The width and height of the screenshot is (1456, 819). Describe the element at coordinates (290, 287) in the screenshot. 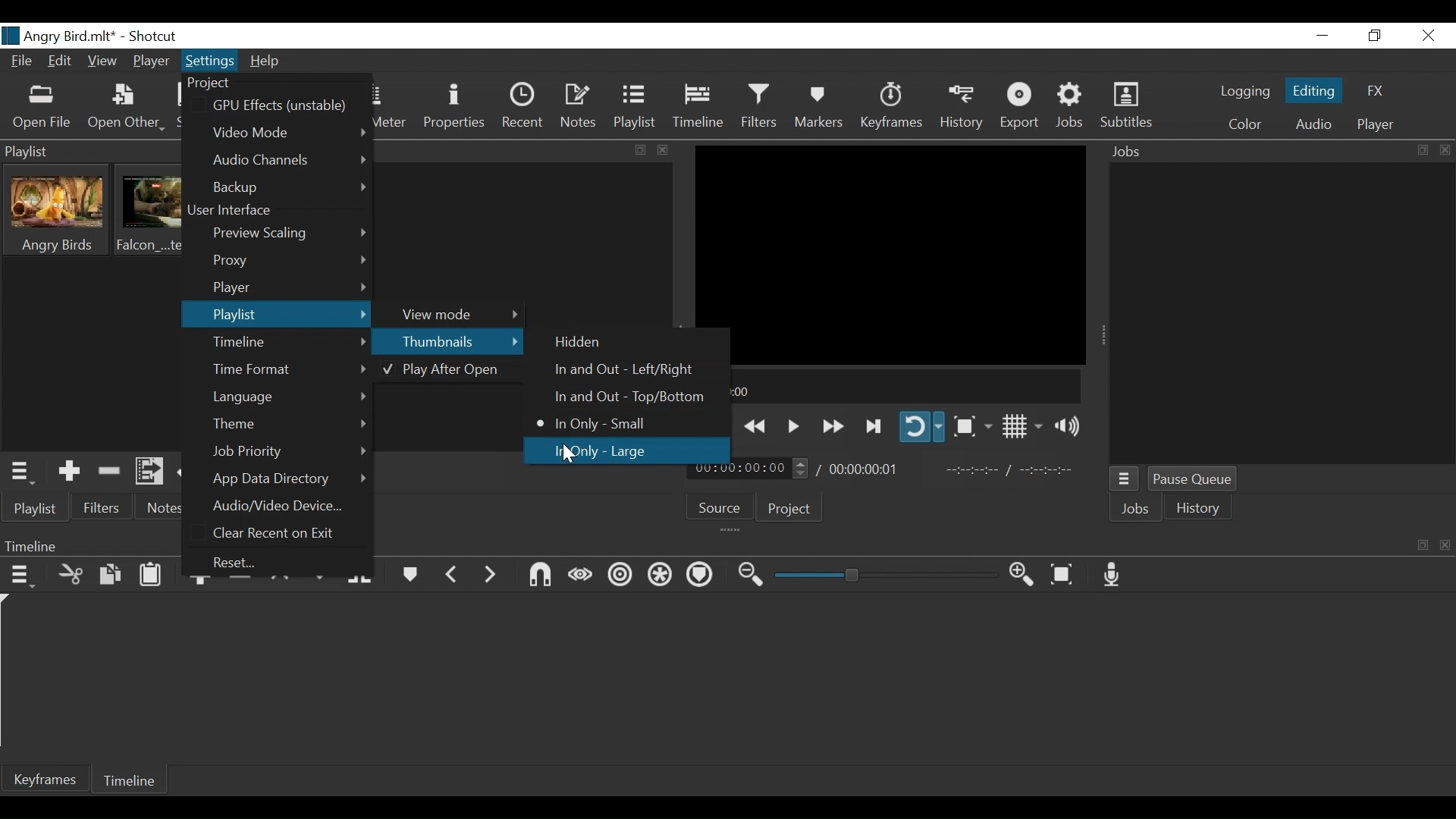

I see `Player` at that location.